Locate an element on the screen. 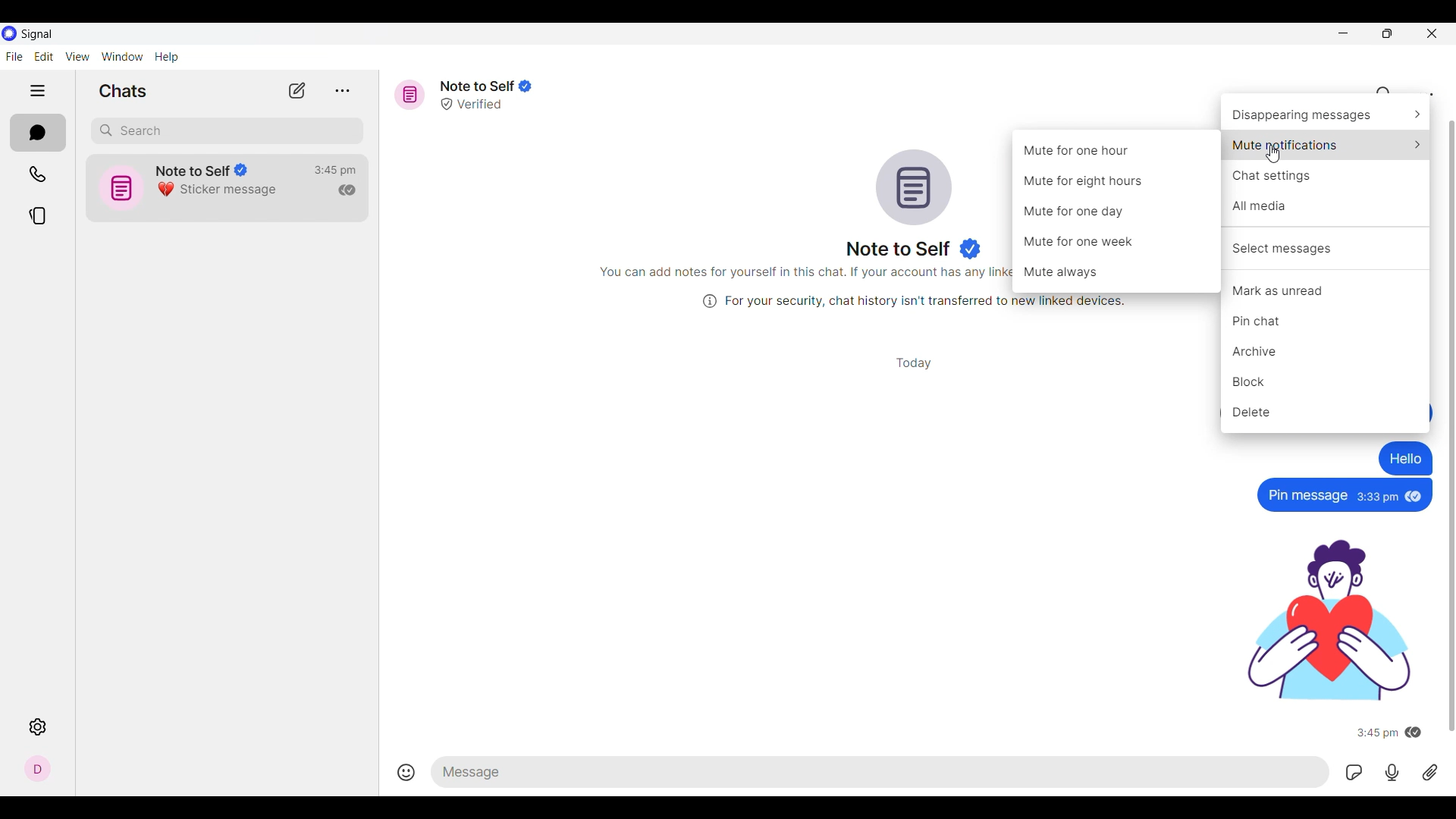  Archive is located at coordinates (1326, 351).